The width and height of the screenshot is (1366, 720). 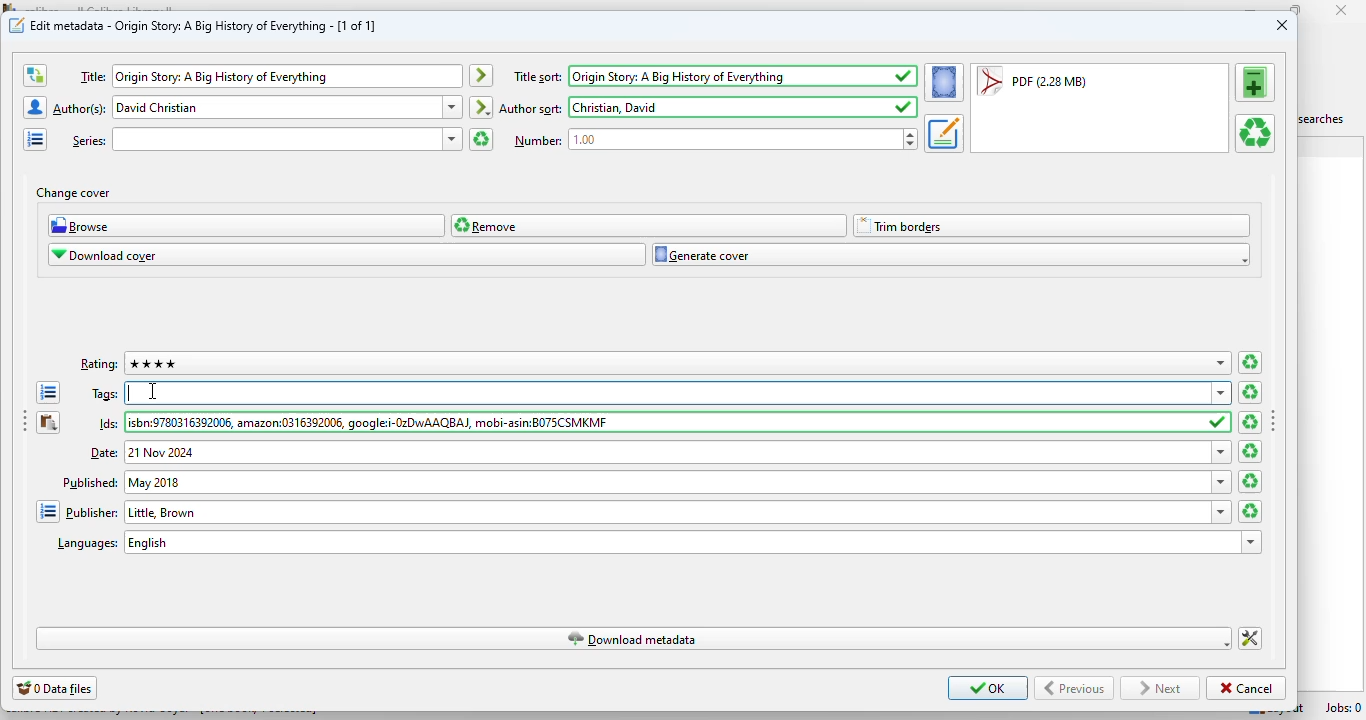 I want to click on clear all tags, so click(x=1250, y=392).